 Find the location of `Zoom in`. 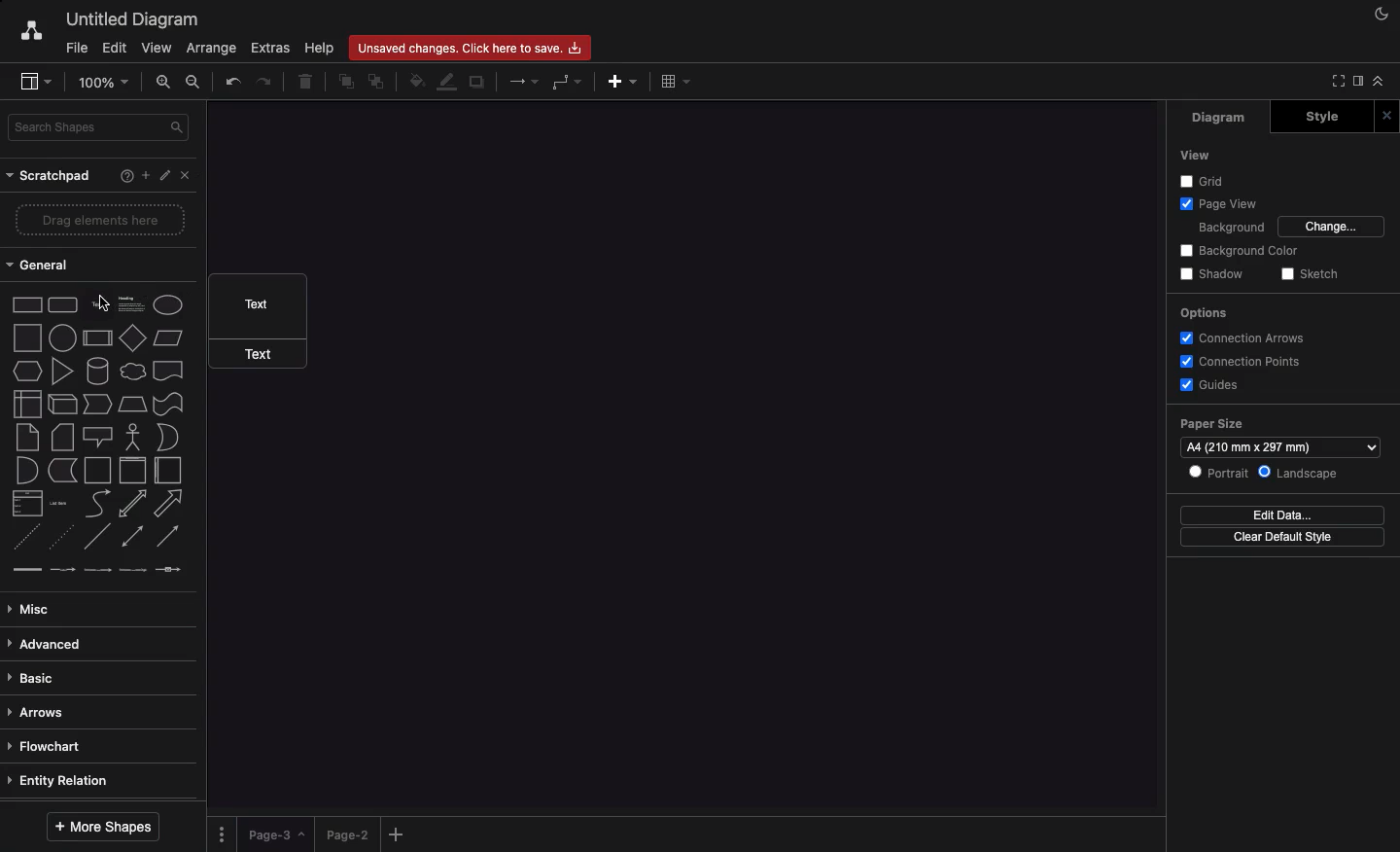

Zoom in is located at coordinates (164, 81).